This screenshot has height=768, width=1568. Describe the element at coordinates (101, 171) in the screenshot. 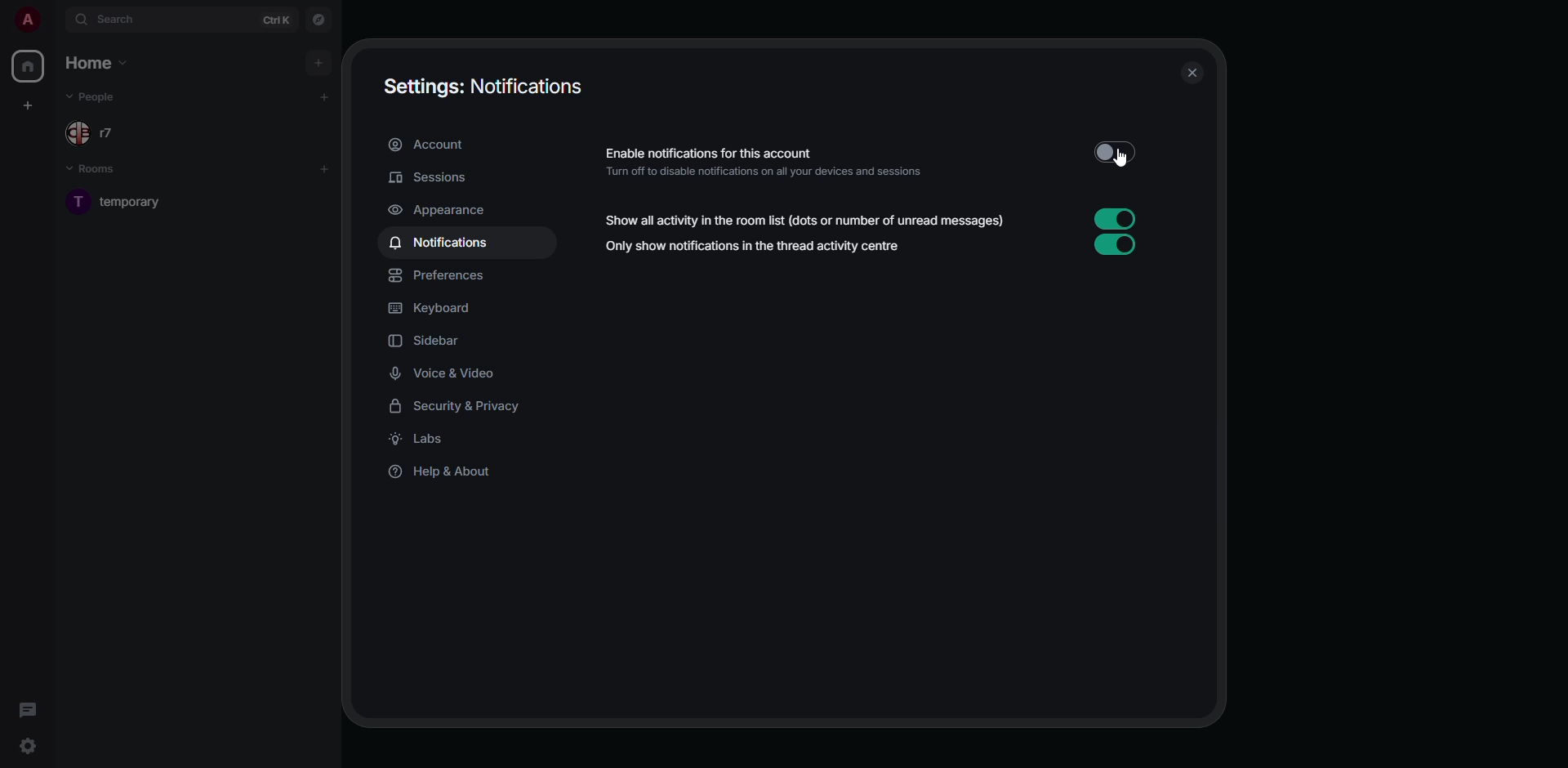

I see `rooms` at that location.